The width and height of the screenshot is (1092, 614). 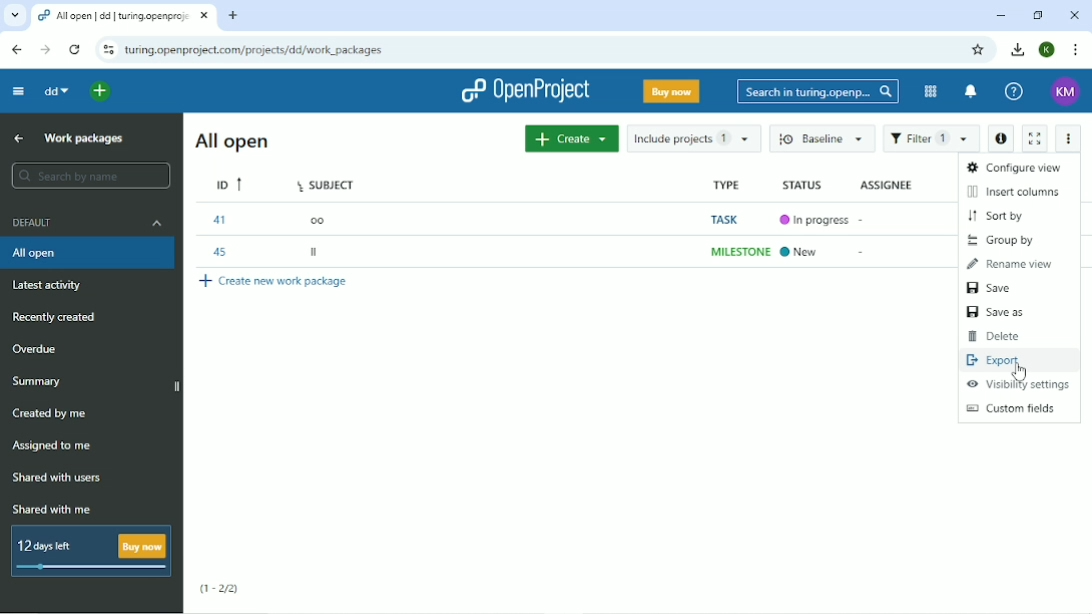 I want to click on Visibility settings, so click(x=1018, y=384).